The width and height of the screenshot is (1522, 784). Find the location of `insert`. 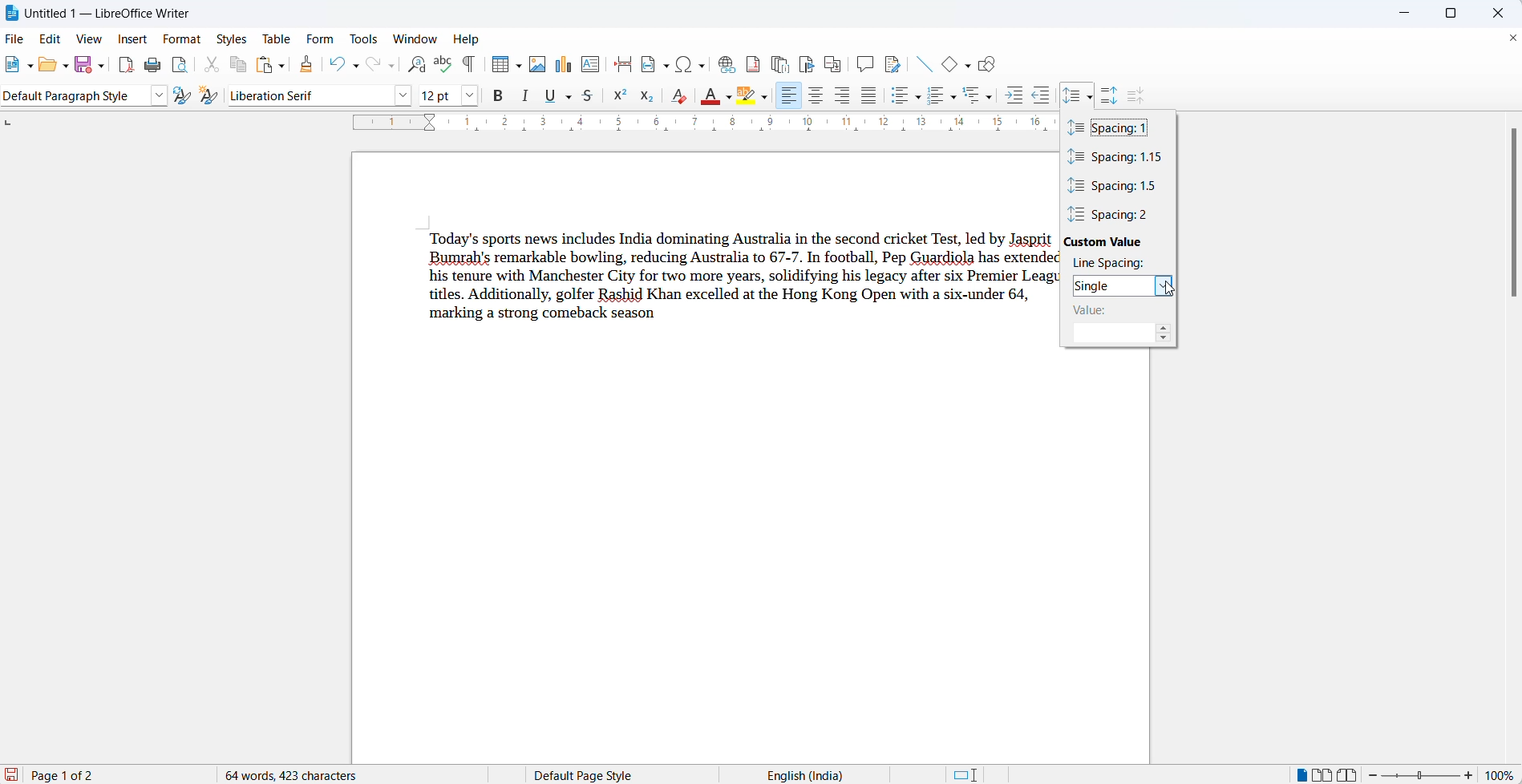

insert is located at coordinates (134, 38).